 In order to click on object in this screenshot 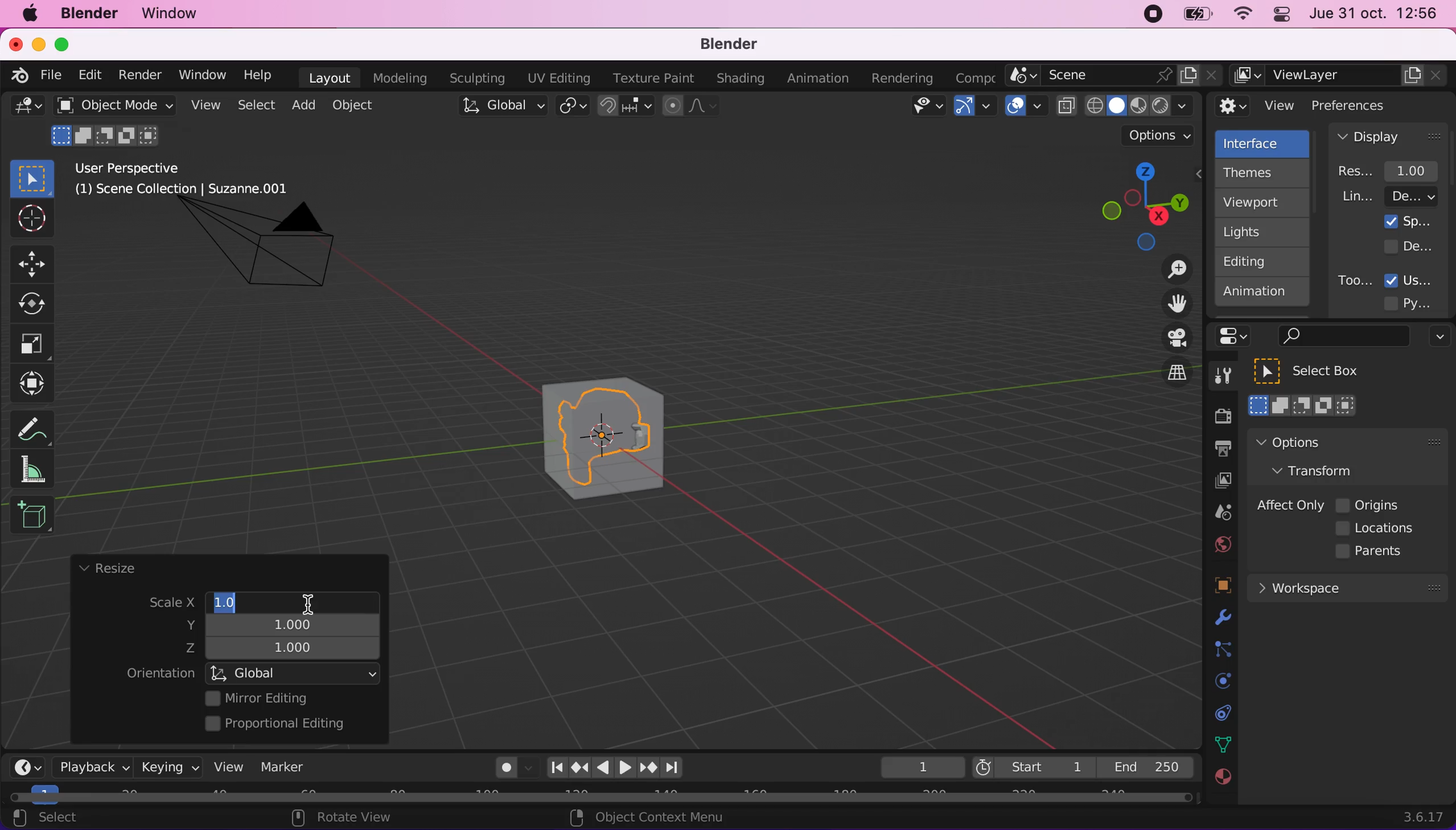, I will do `click(356, 105)`.